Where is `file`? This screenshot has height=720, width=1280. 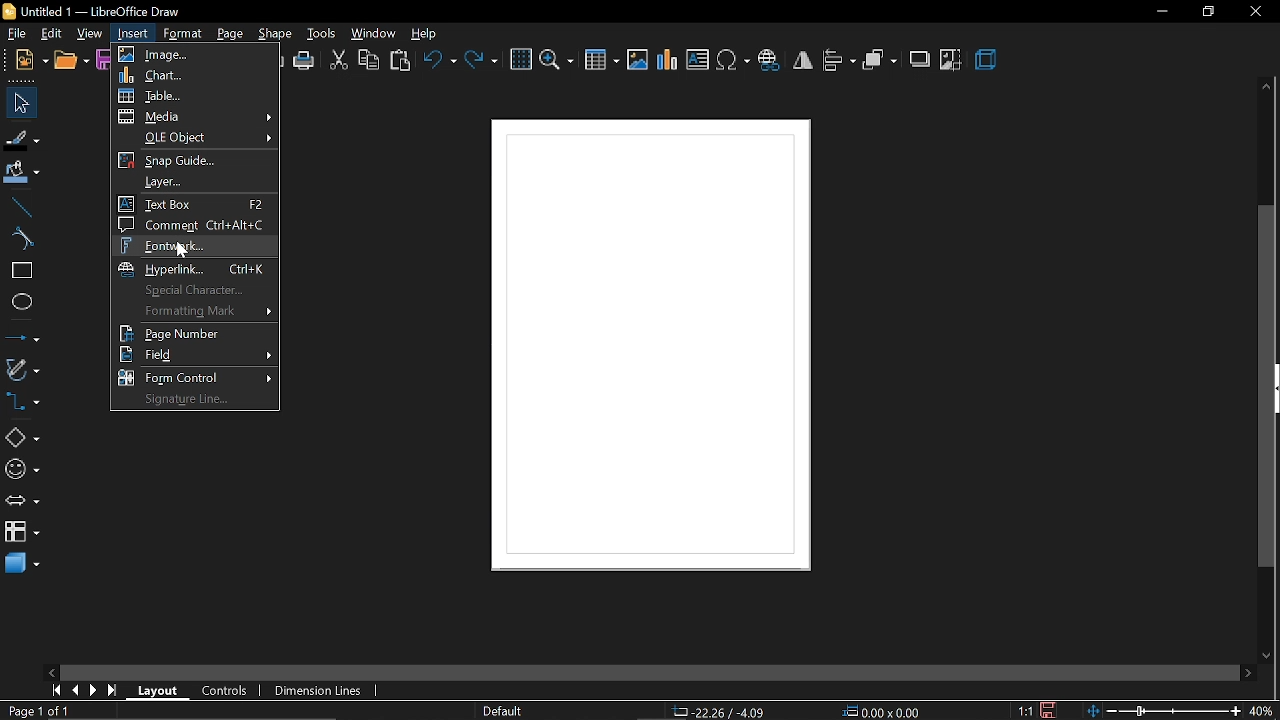 file is located at coordinates (19, 34).